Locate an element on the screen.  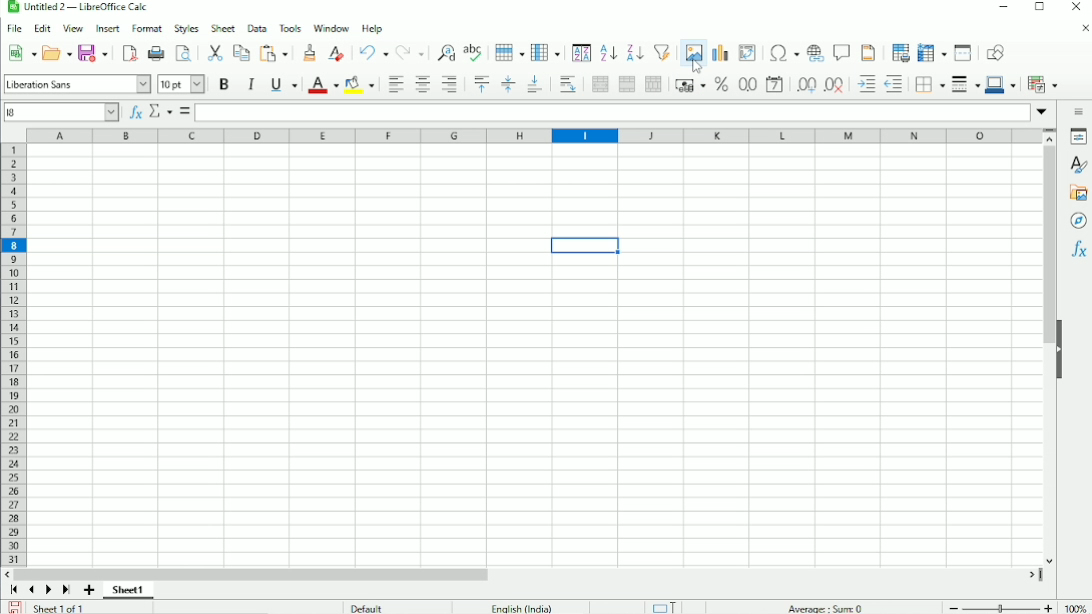
Insert comments is located at coordinates (843, 52).